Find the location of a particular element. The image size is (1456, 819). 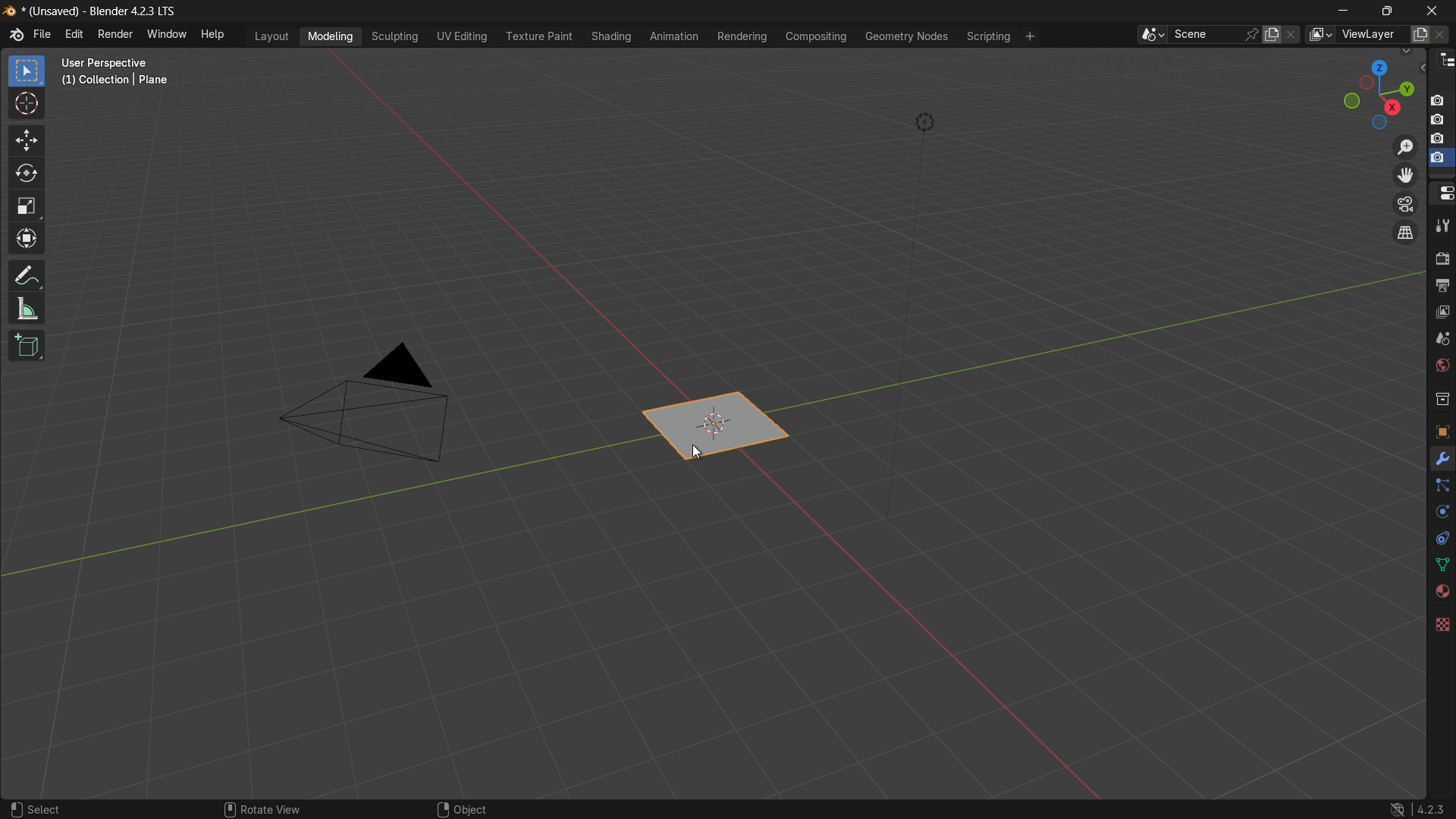

move is located at coordinates (29, 141).